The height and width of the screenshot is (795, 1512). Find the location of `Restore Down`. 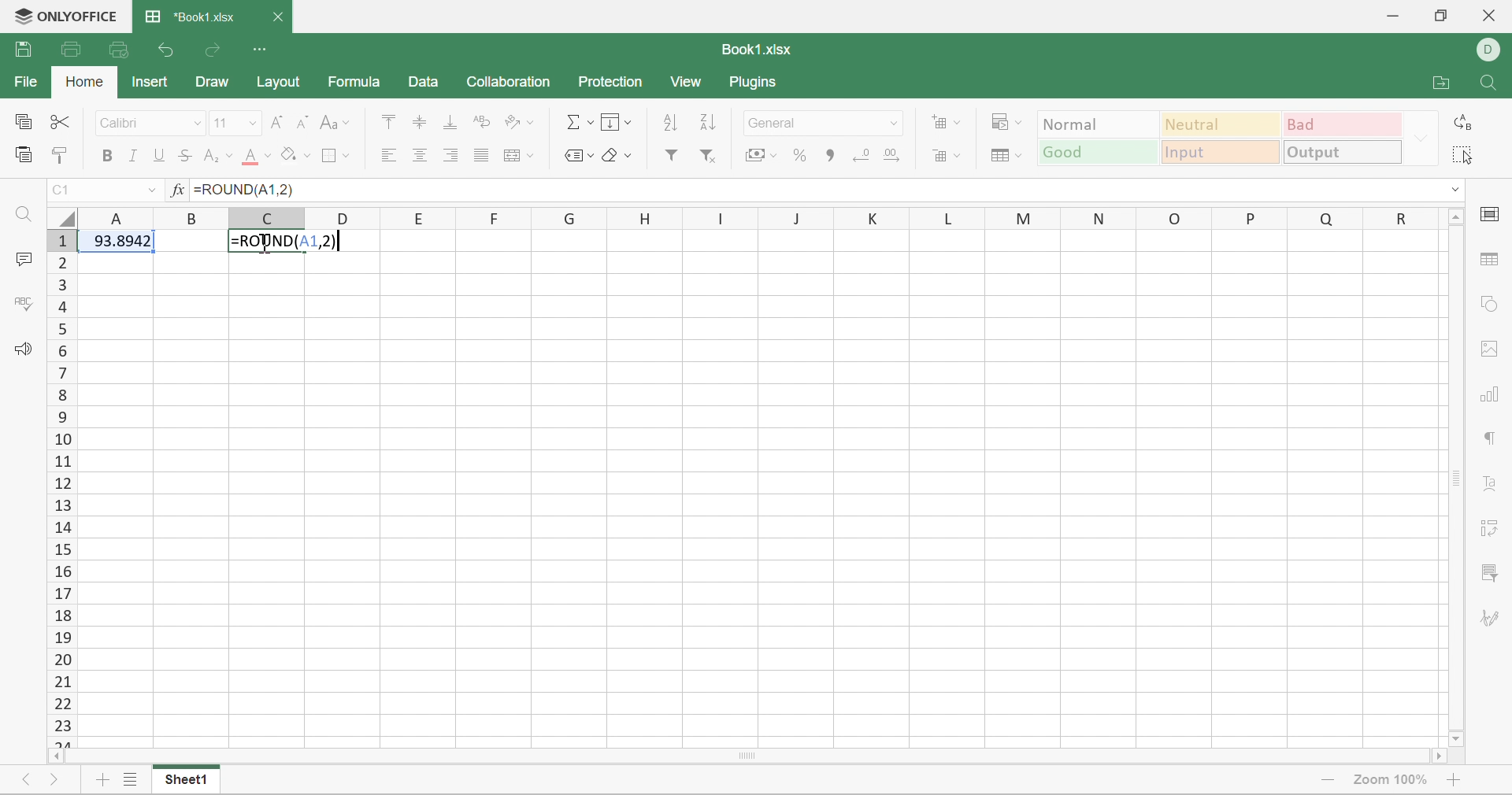

Restore Down is located at coordinates (1439, 17).